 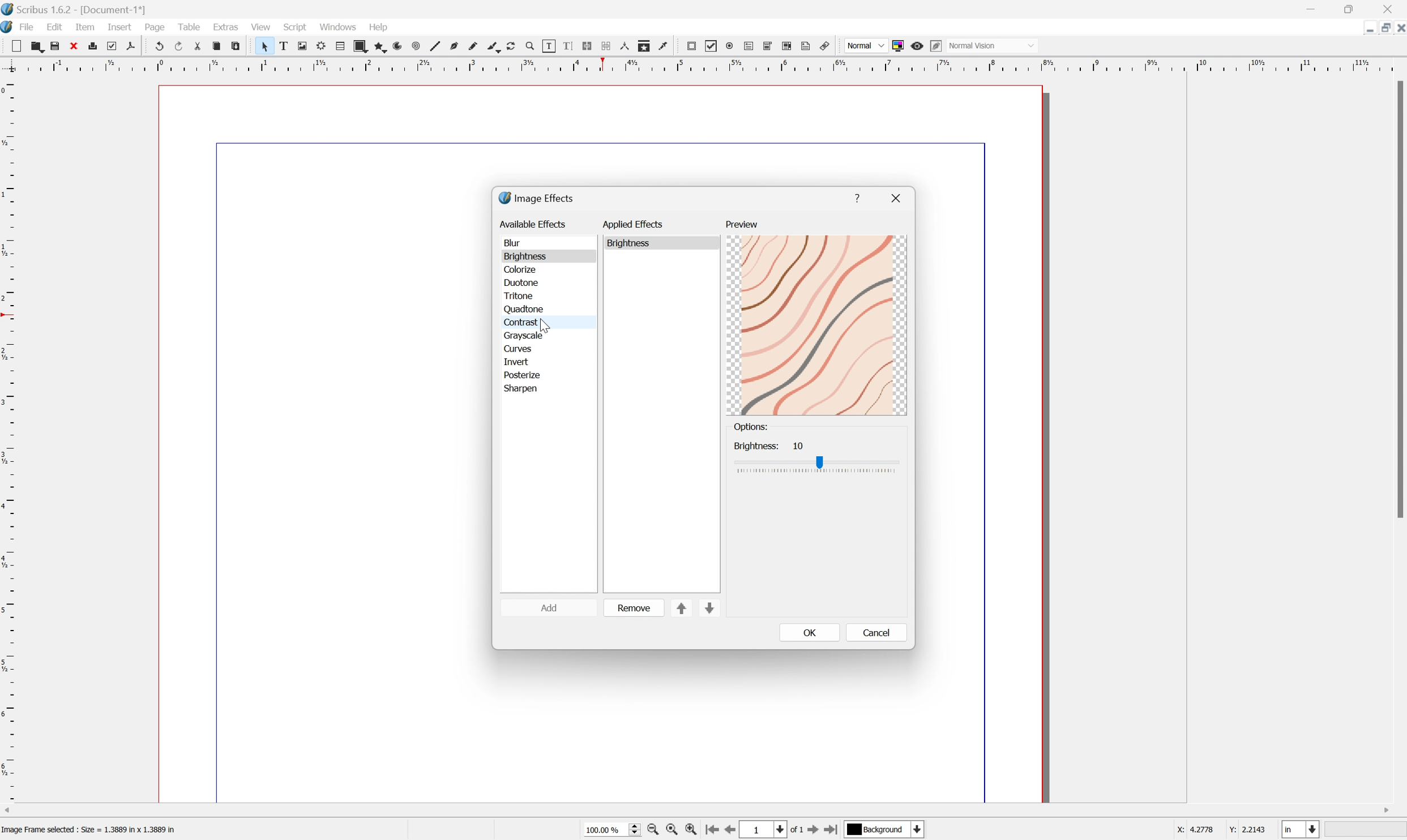 What do you see at coordinates (702, 68) in the screenshot?
I see `Horizontal Margin` at bounding box center [702, 68].